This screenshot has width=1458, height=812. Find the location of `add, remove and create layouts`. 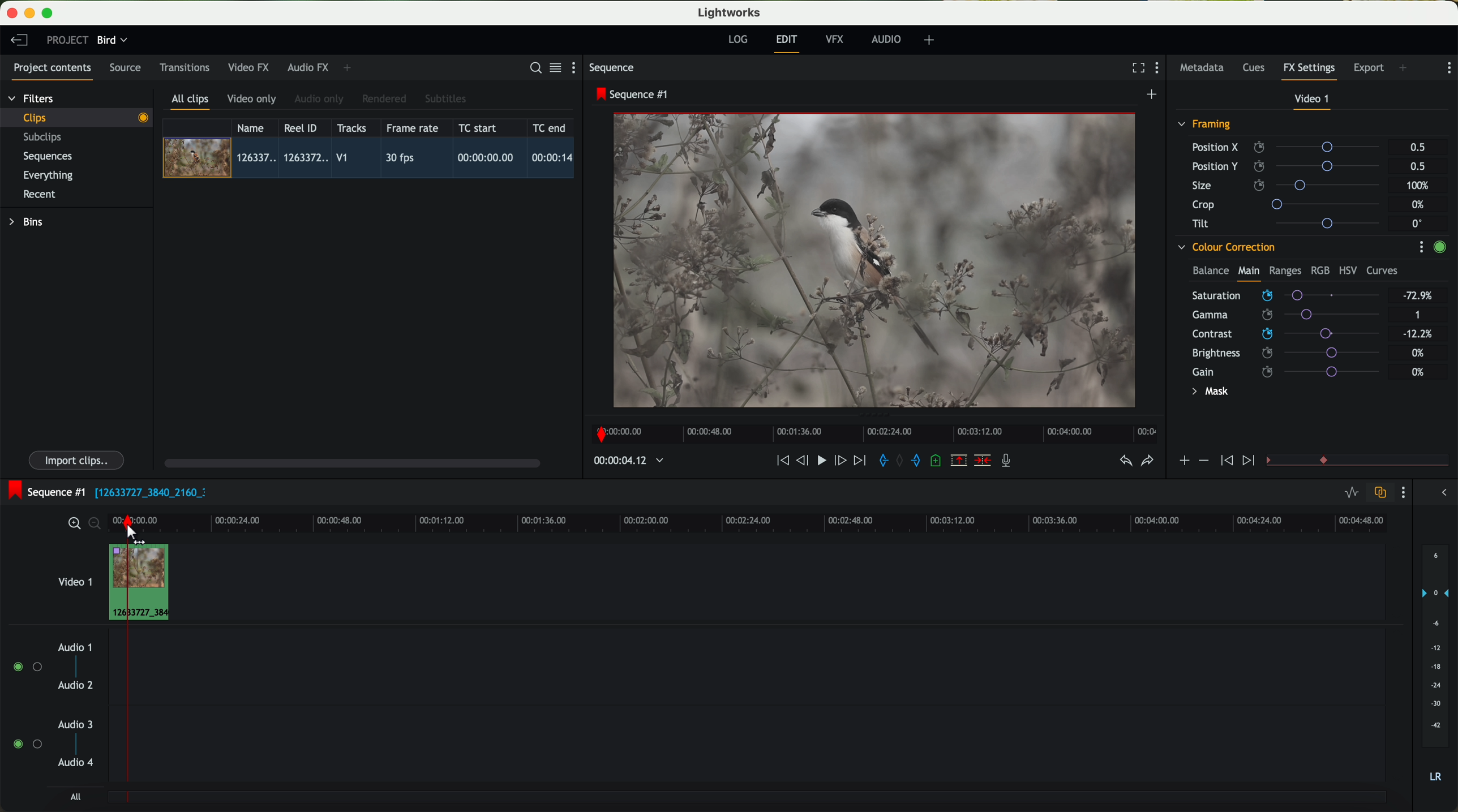

add, remove and create layouts is located at coordinates (931, 40).